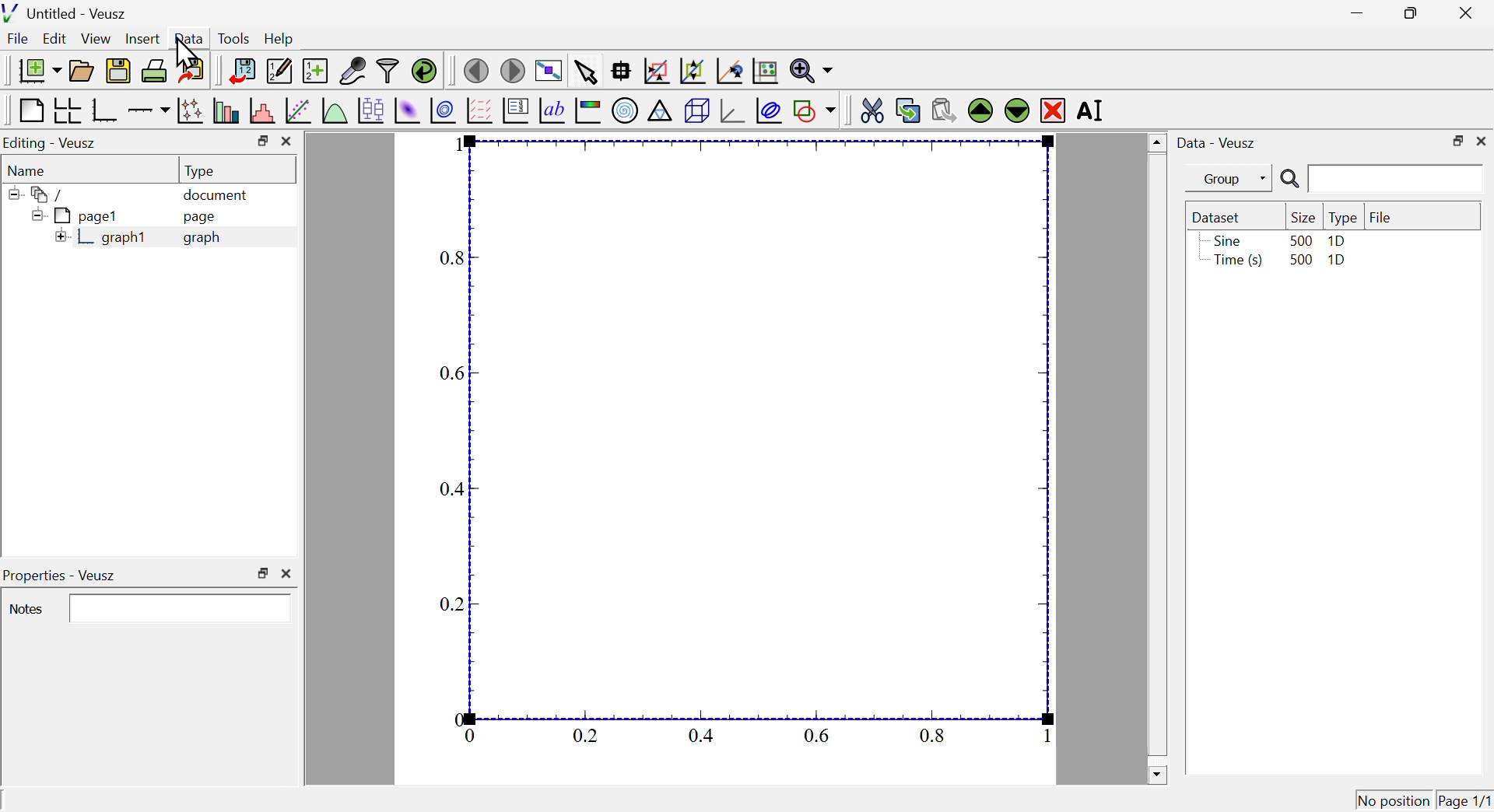 The image size is (1494, 812). Describe the element at coordinates (585, 71) in the screenshot. I see `select items from the graph or scroll` at that location.